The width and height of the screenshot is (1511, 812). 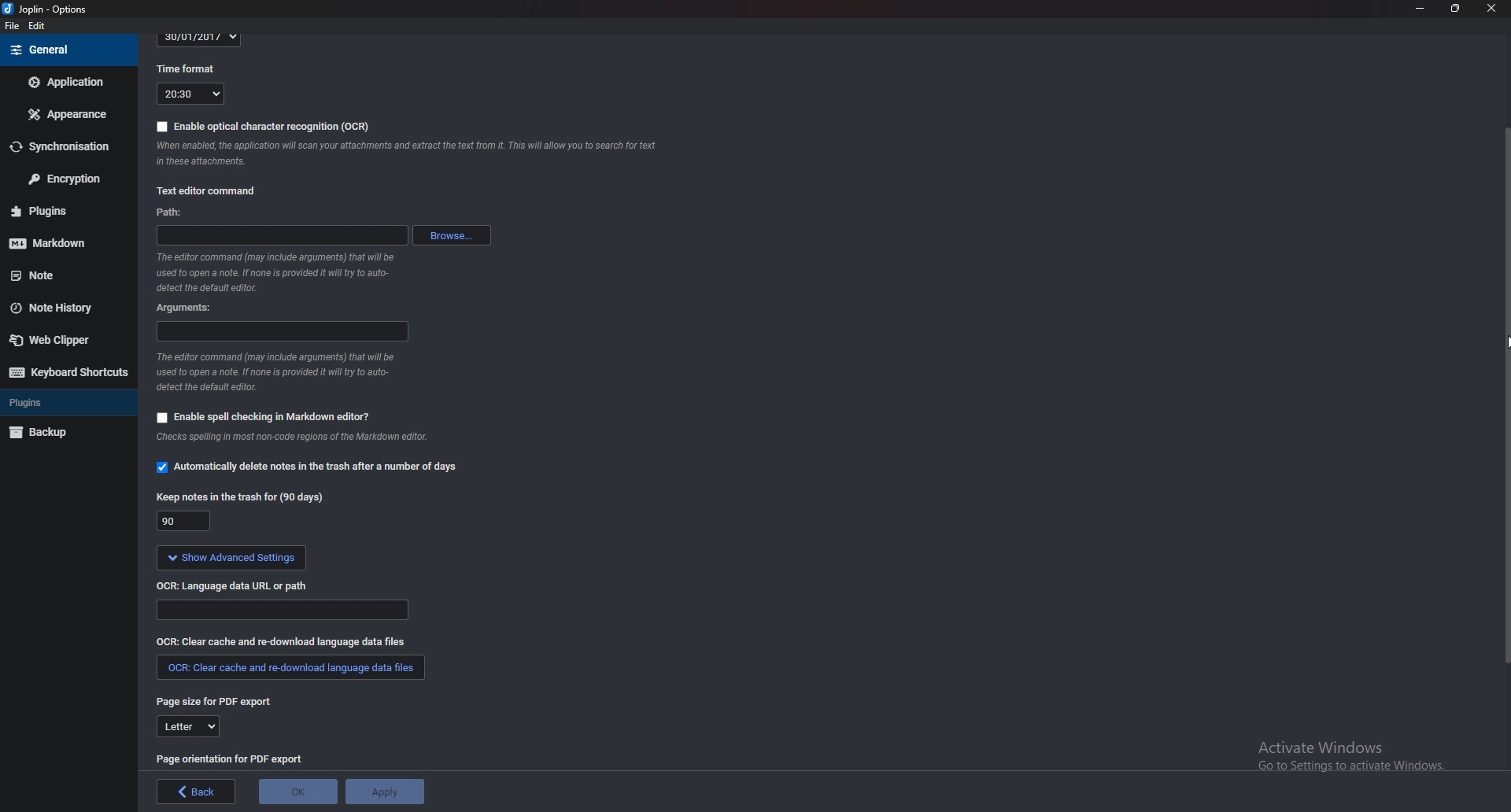 What do you see at coordinates (1490, 9) in the screenshot?
I see `close` at bounding box center [1490, 9].